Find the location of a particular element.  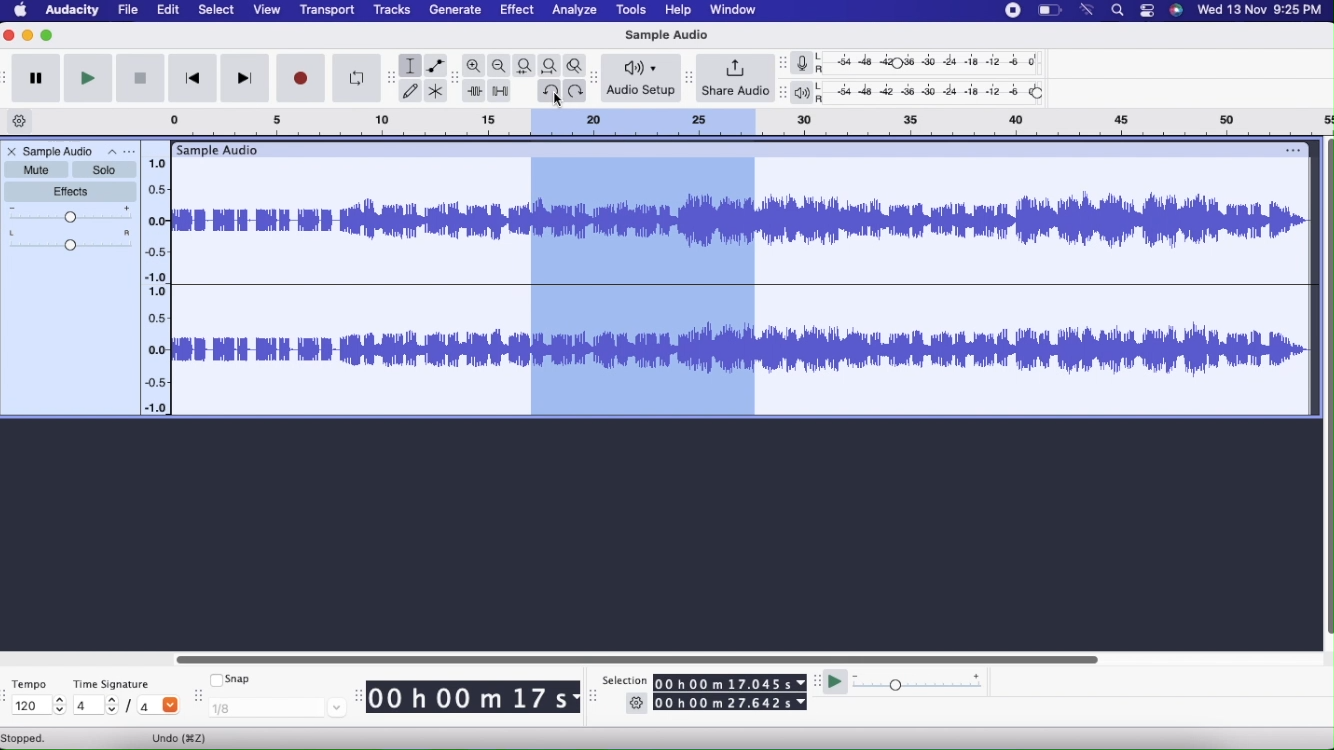

View is located at coordinates (266, 9).